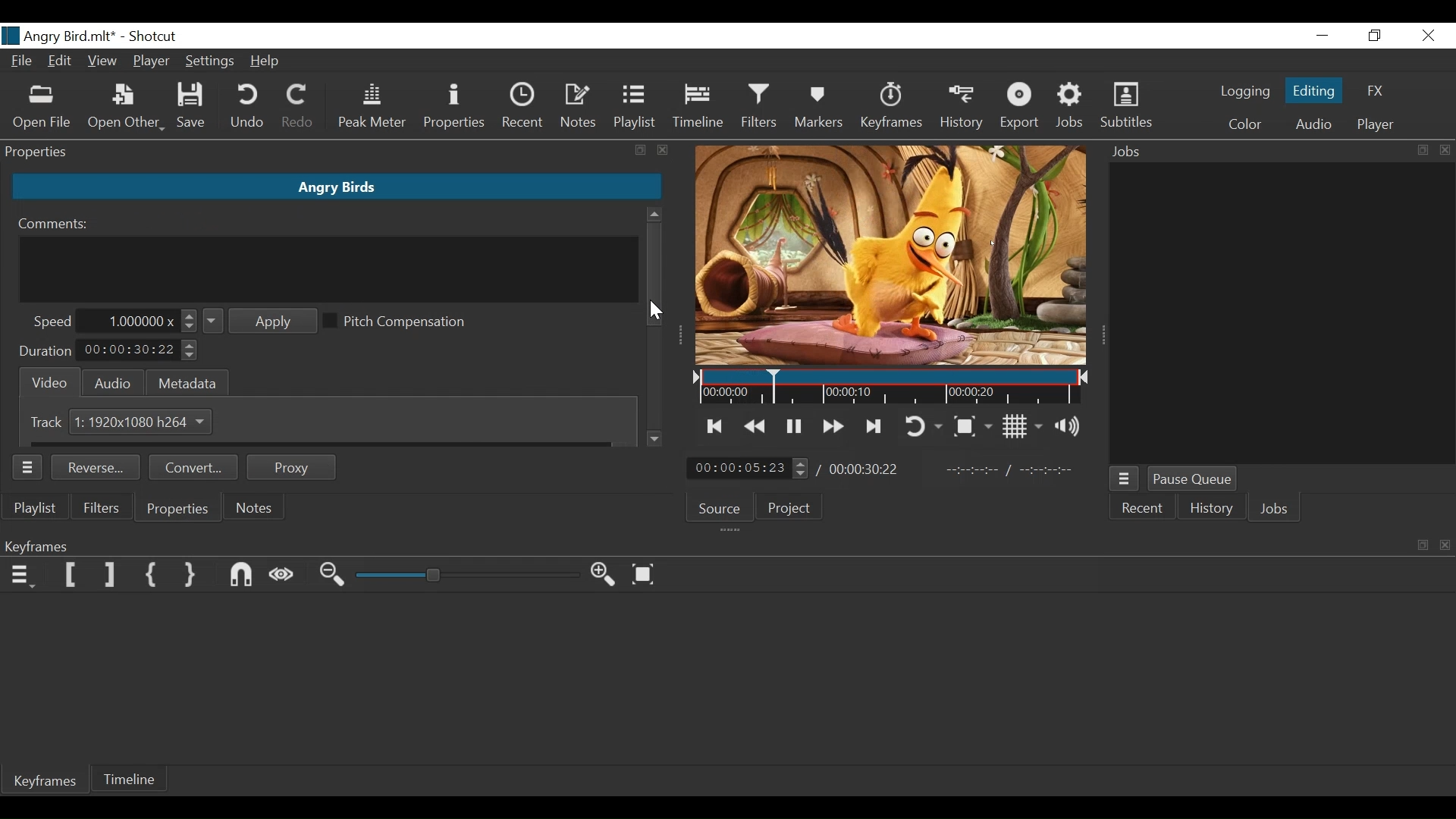  I want to click on Scroll down, so click(654, 438).